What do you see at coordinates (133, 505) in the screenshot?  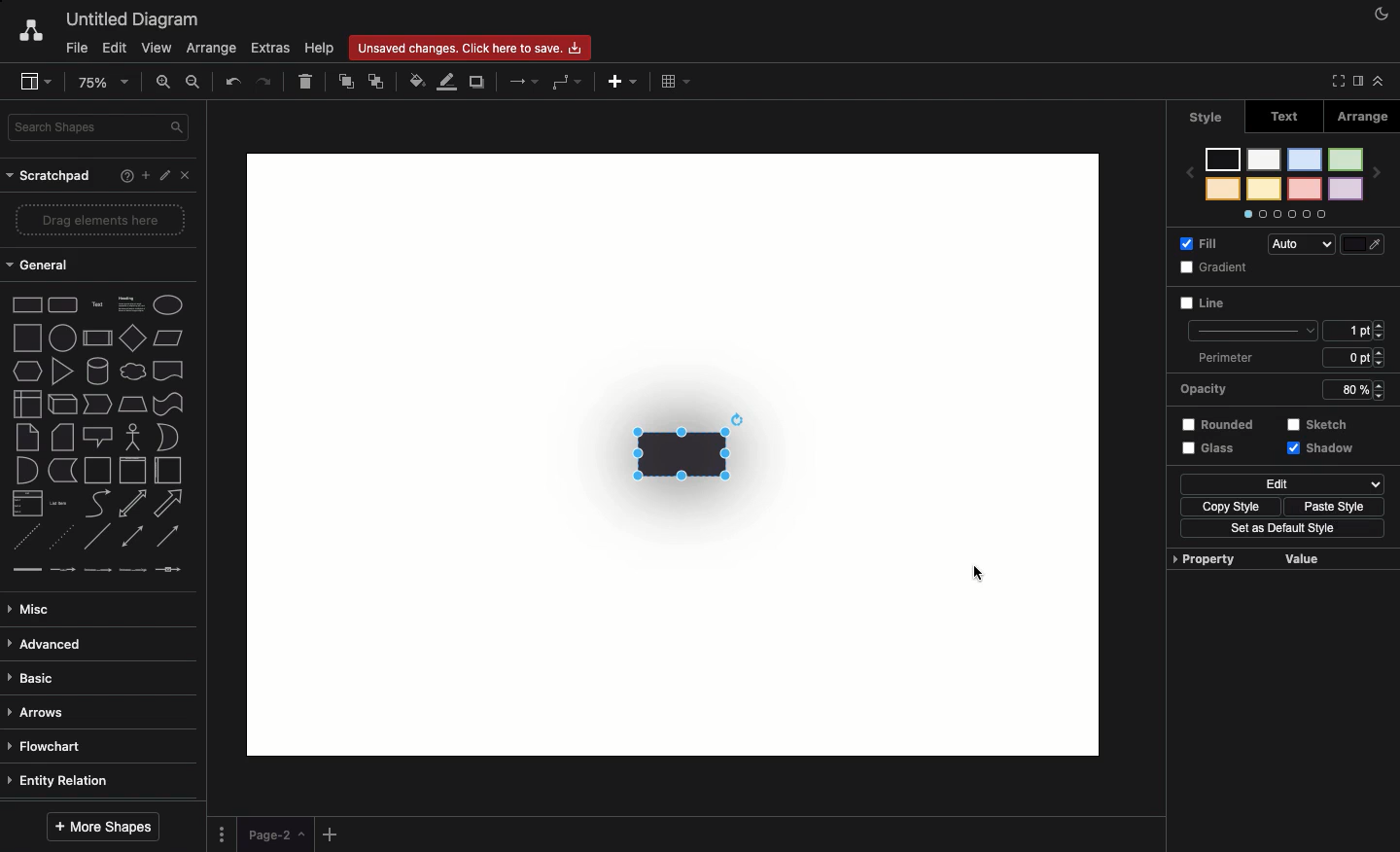 I see `bidirectional arrow` at bounding box center [133, 505].